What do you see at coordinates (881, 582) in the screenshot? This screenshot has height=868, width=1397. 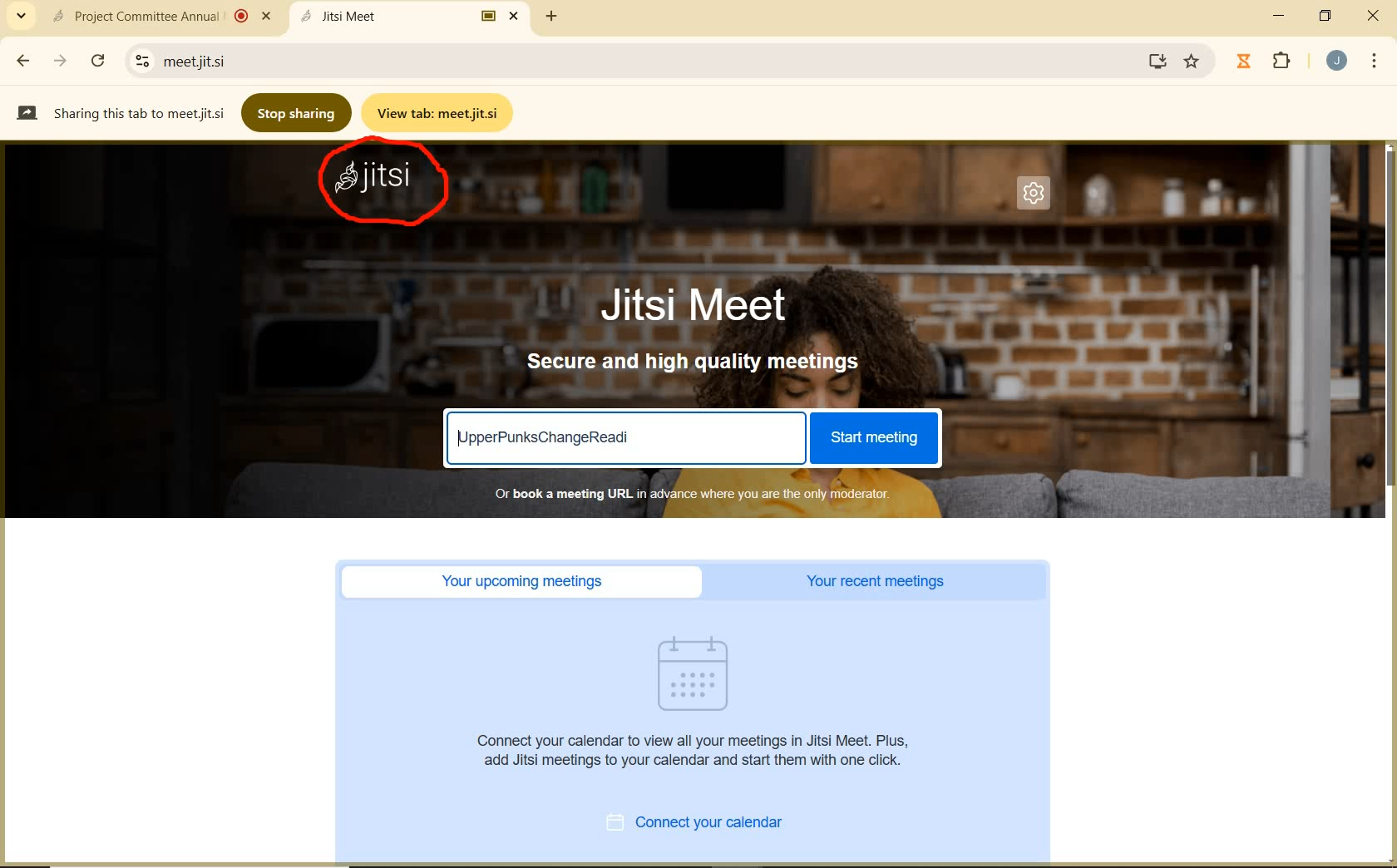 I see `YOUR RECENT MEETINGS` at bounding box center [881, 582].